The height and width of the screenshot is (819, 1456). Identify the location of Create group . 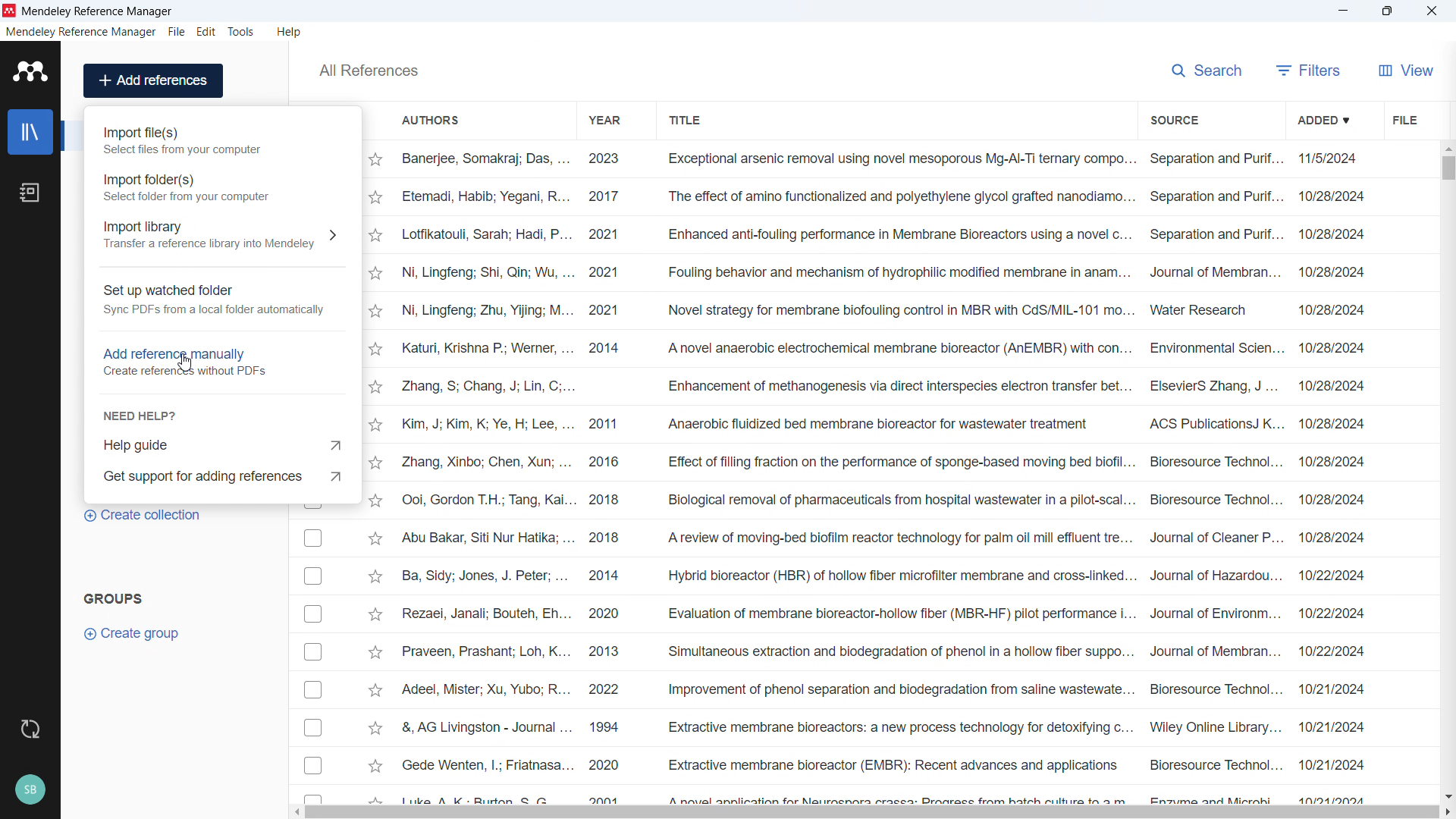
(133, 634).